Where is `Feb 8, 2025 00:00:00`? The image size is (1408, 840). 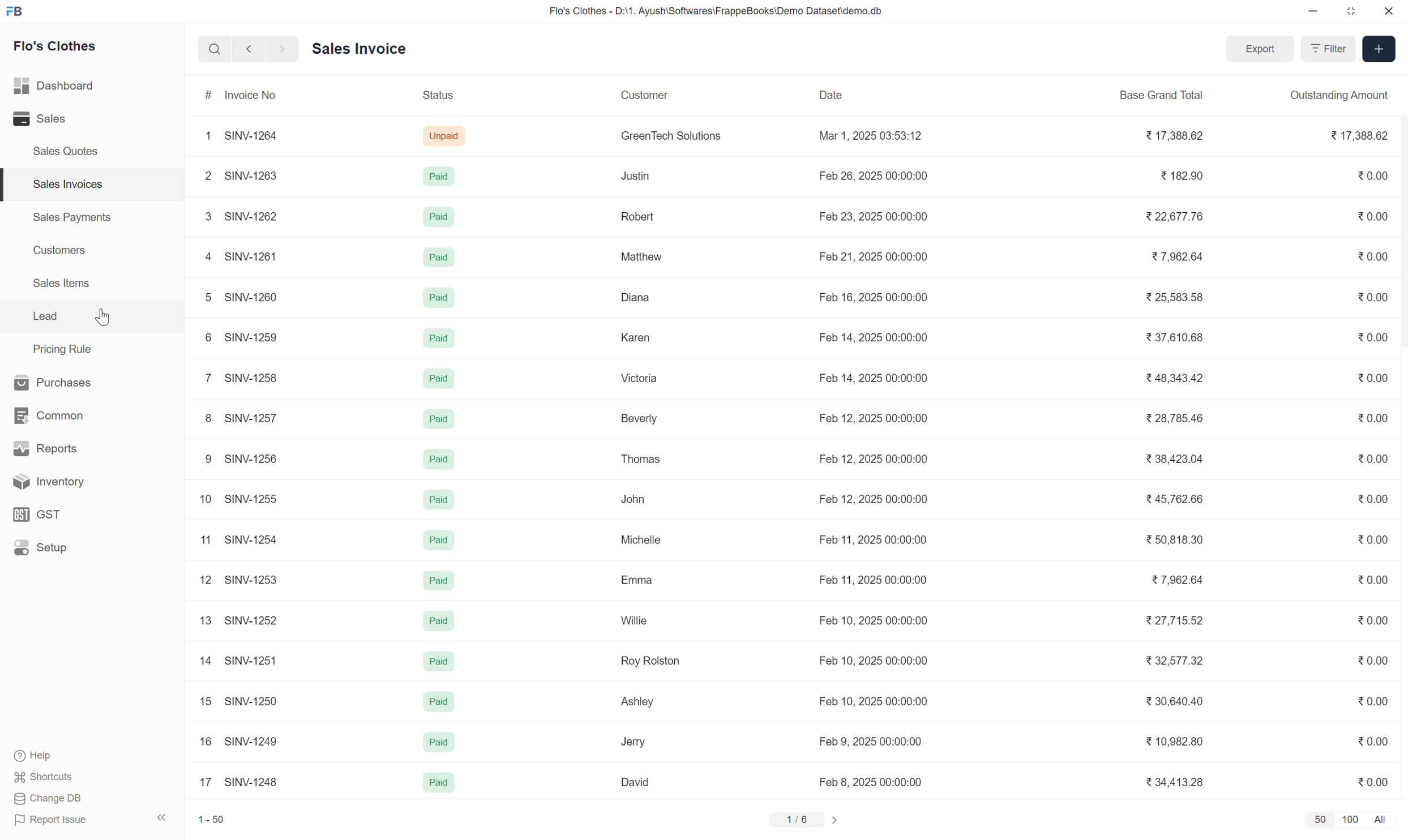
Feb 8, 2025 00:00:00 is located at coordinates (878, 782).